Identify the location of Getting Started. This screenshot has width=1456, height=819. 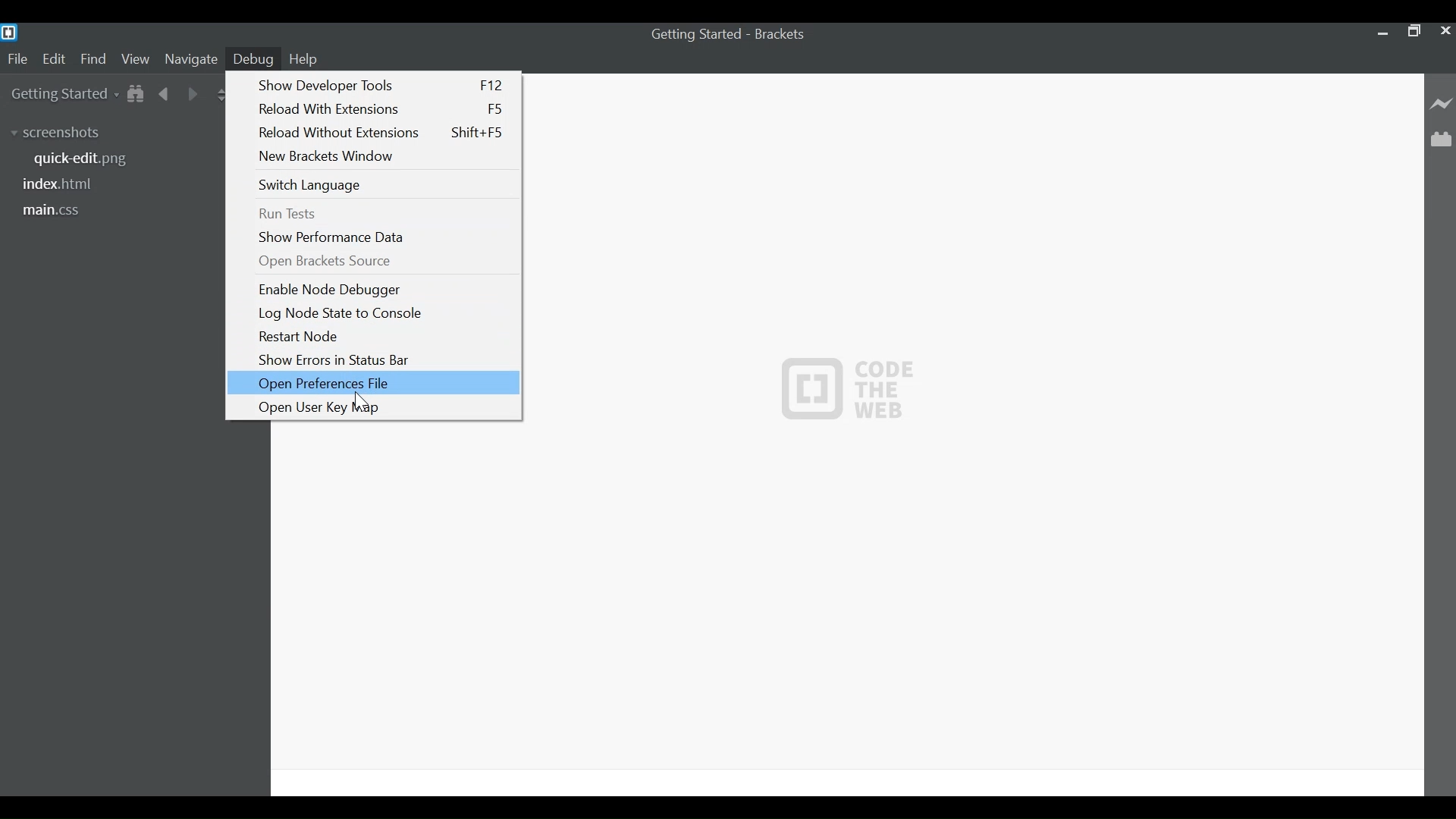
(64, 93).